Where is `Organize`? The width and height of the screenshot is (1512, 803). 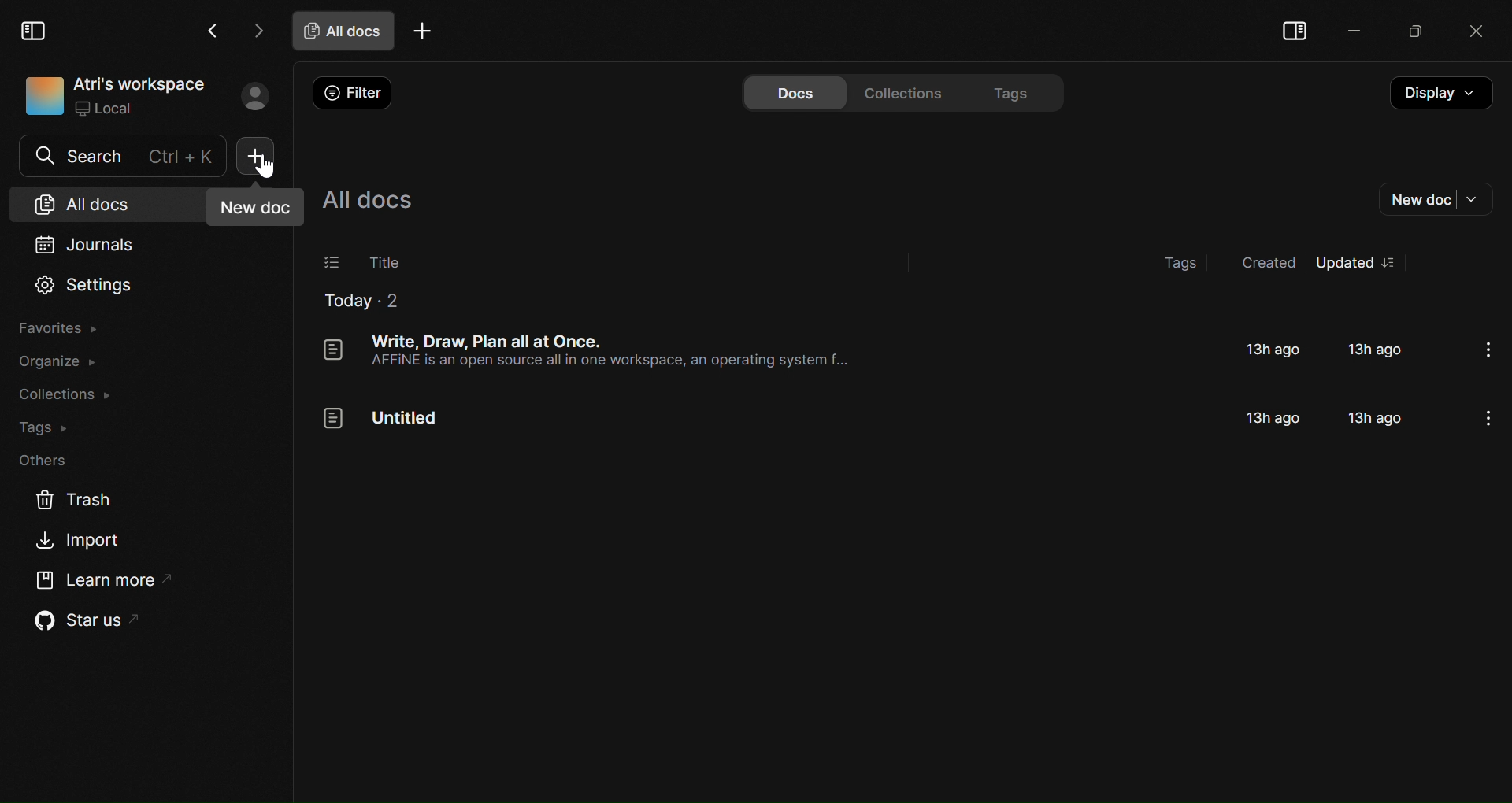
Organize is located at coordinates (65, 362).